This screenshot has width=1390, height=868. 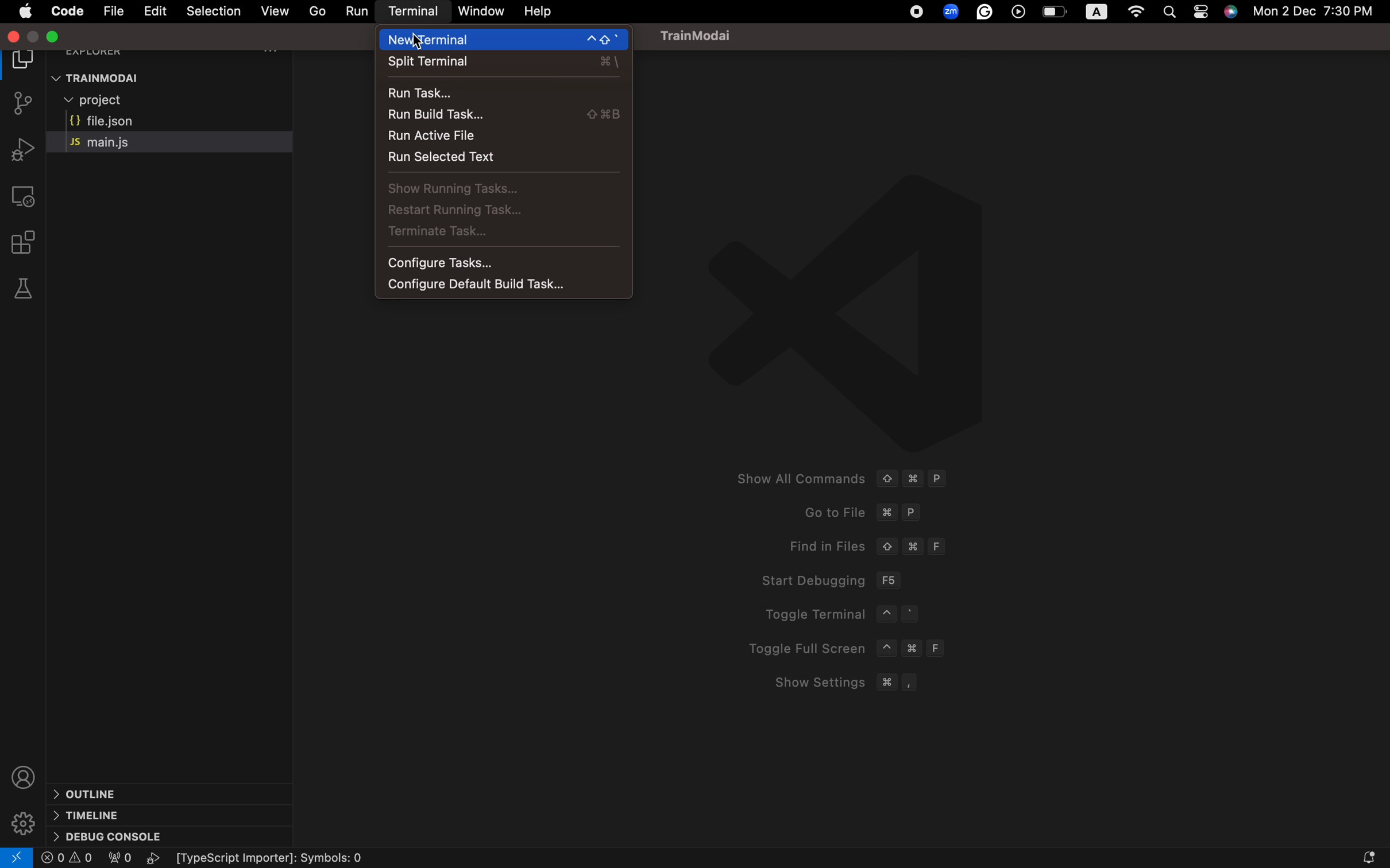 I want to click on timeline, so click(x=87, y=815).